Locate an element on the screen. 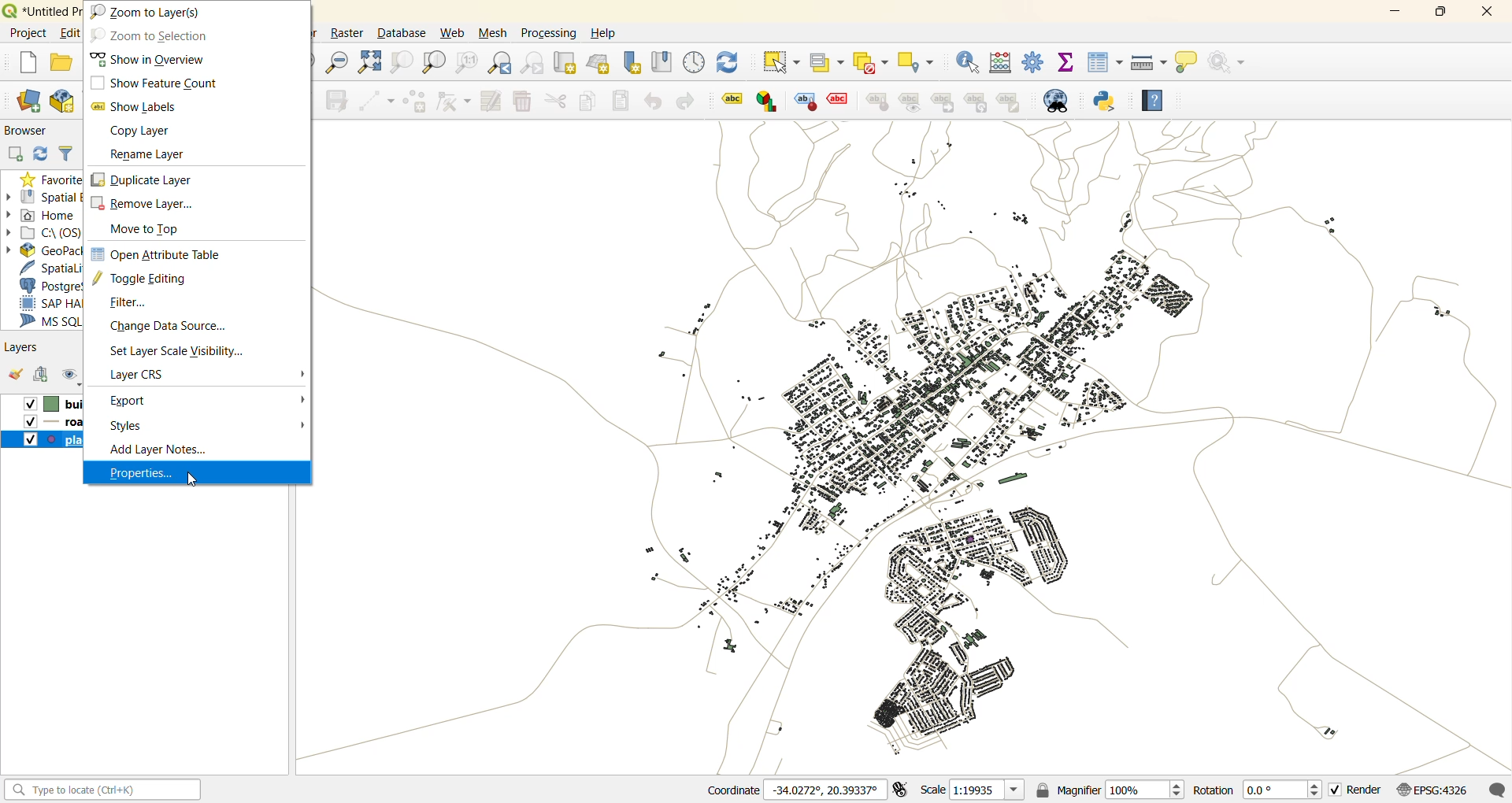 The height and width of the screenshot is (803, 1512). save edits is located at coordinates (336, 101).